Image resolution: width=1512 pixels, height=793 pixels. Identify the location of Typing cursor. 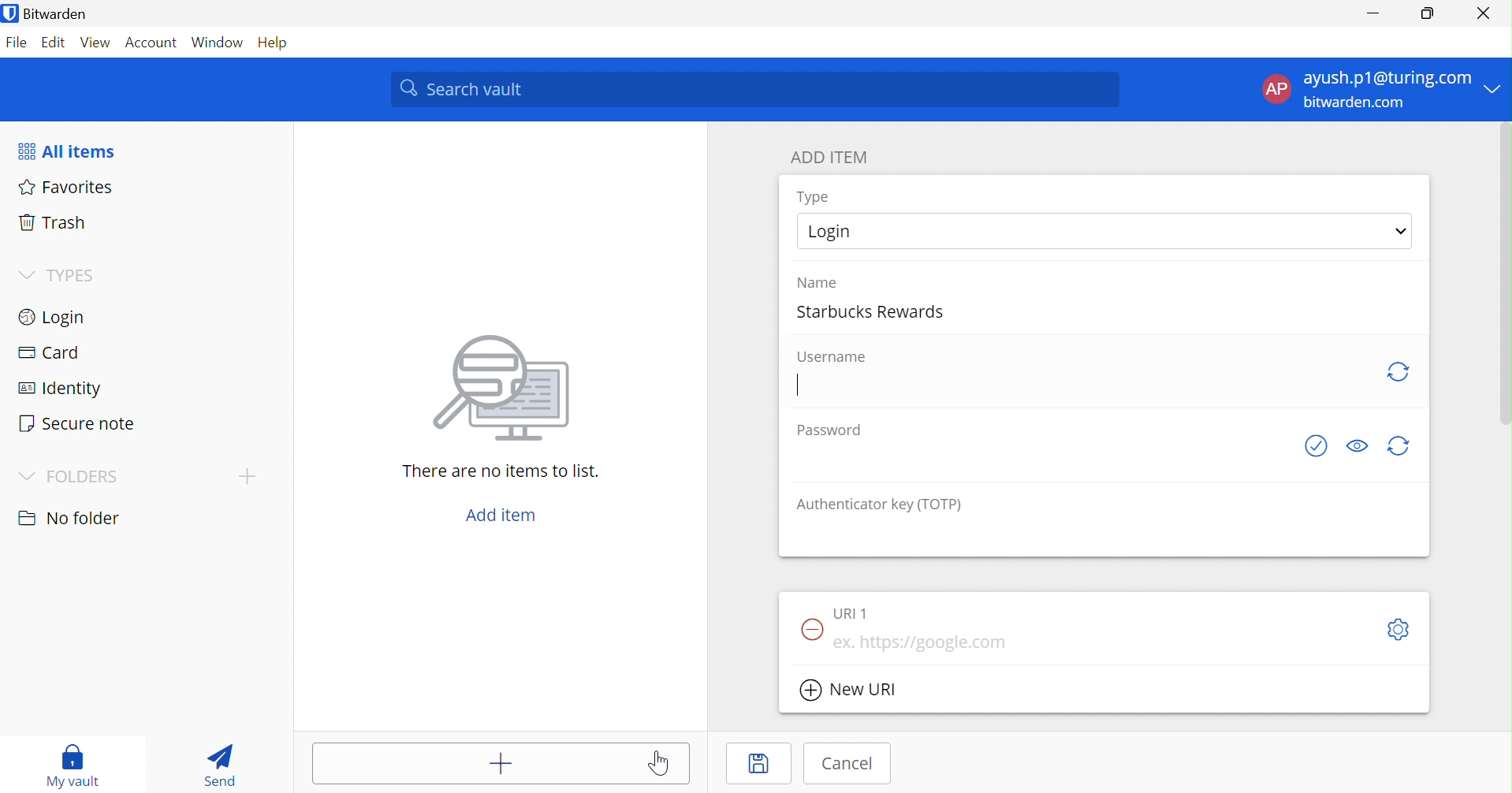
(800, 385).